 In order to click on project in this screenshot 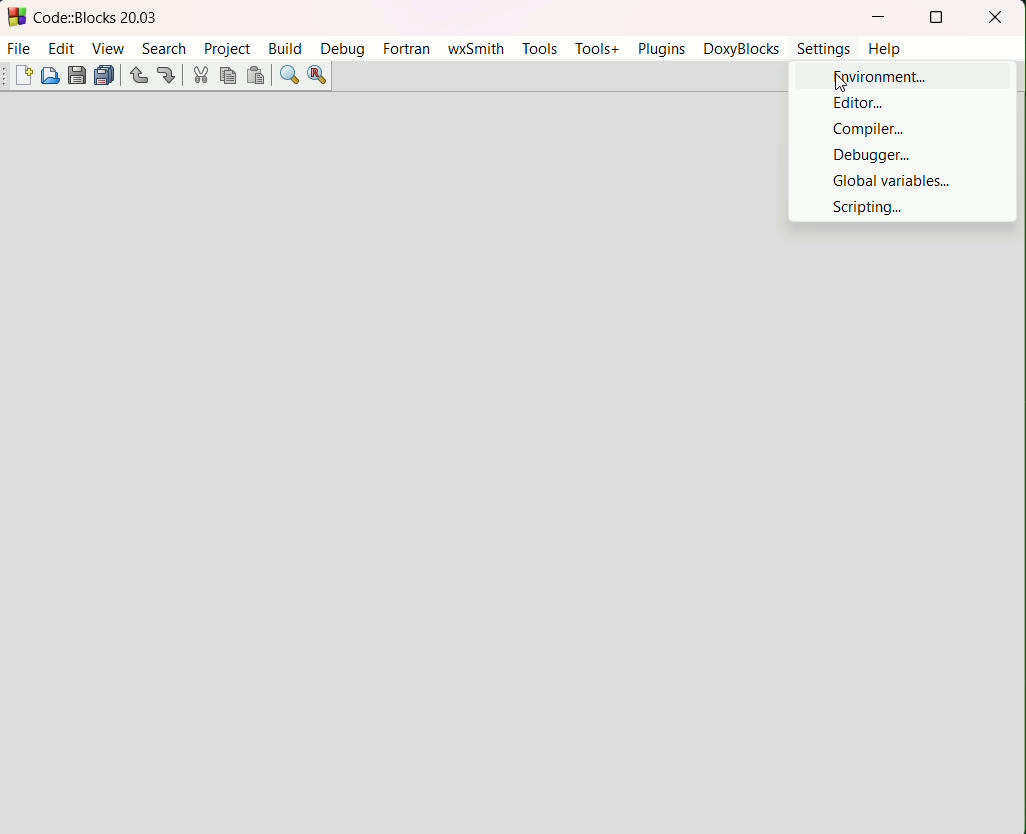, I will do `click(225, 49)`.